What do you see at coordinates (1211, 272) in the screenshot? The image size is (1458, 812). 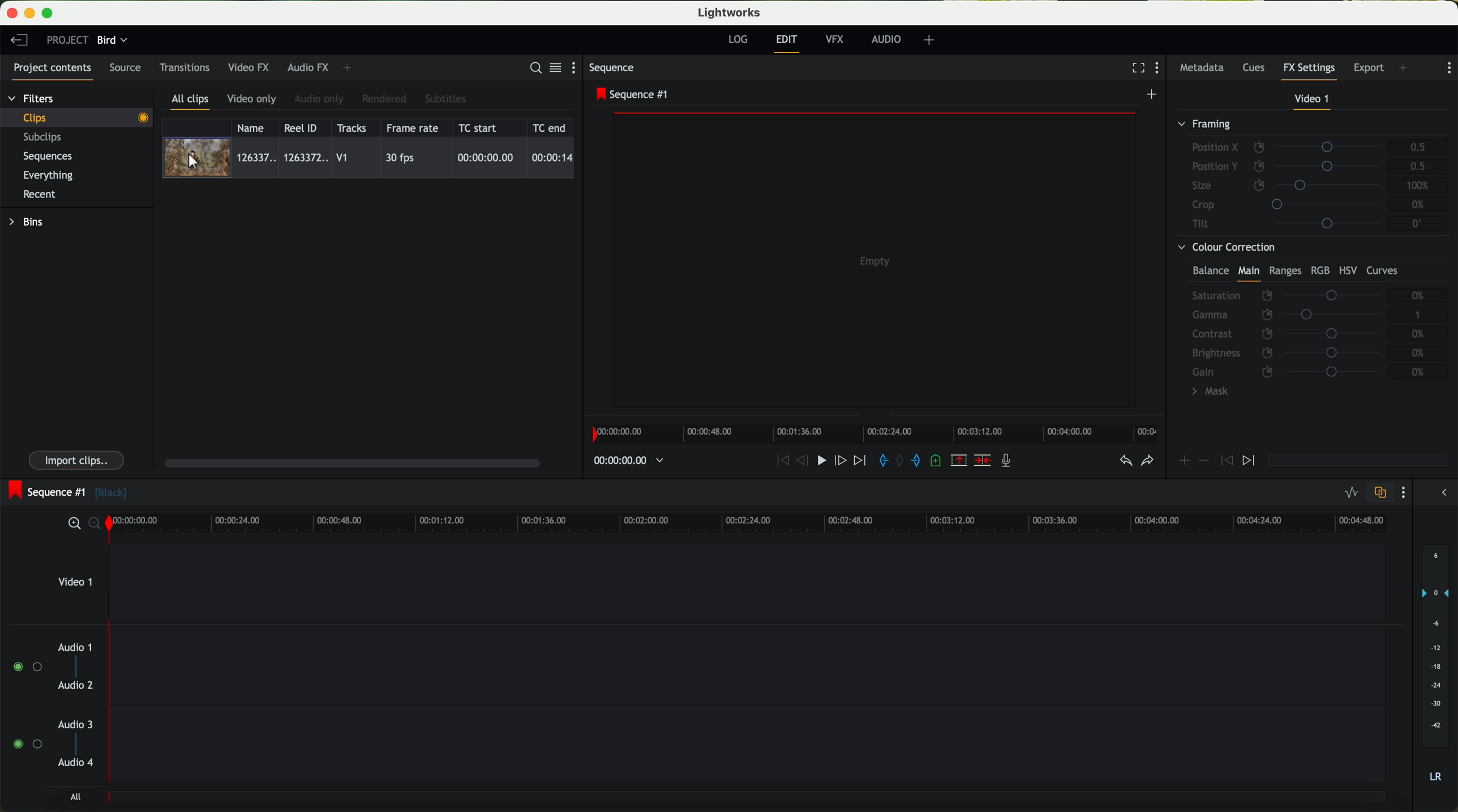 I see `balance` at bounding box center [1211, 272].